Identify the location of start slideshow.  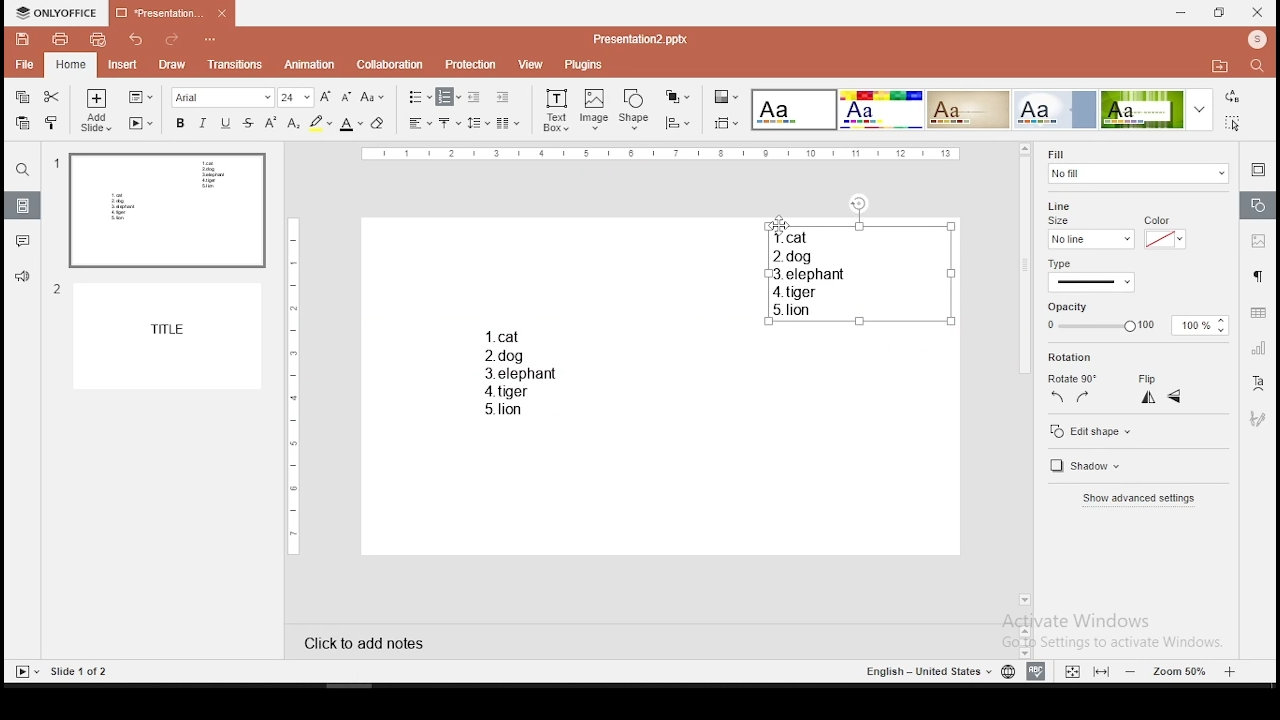
(141, 123).